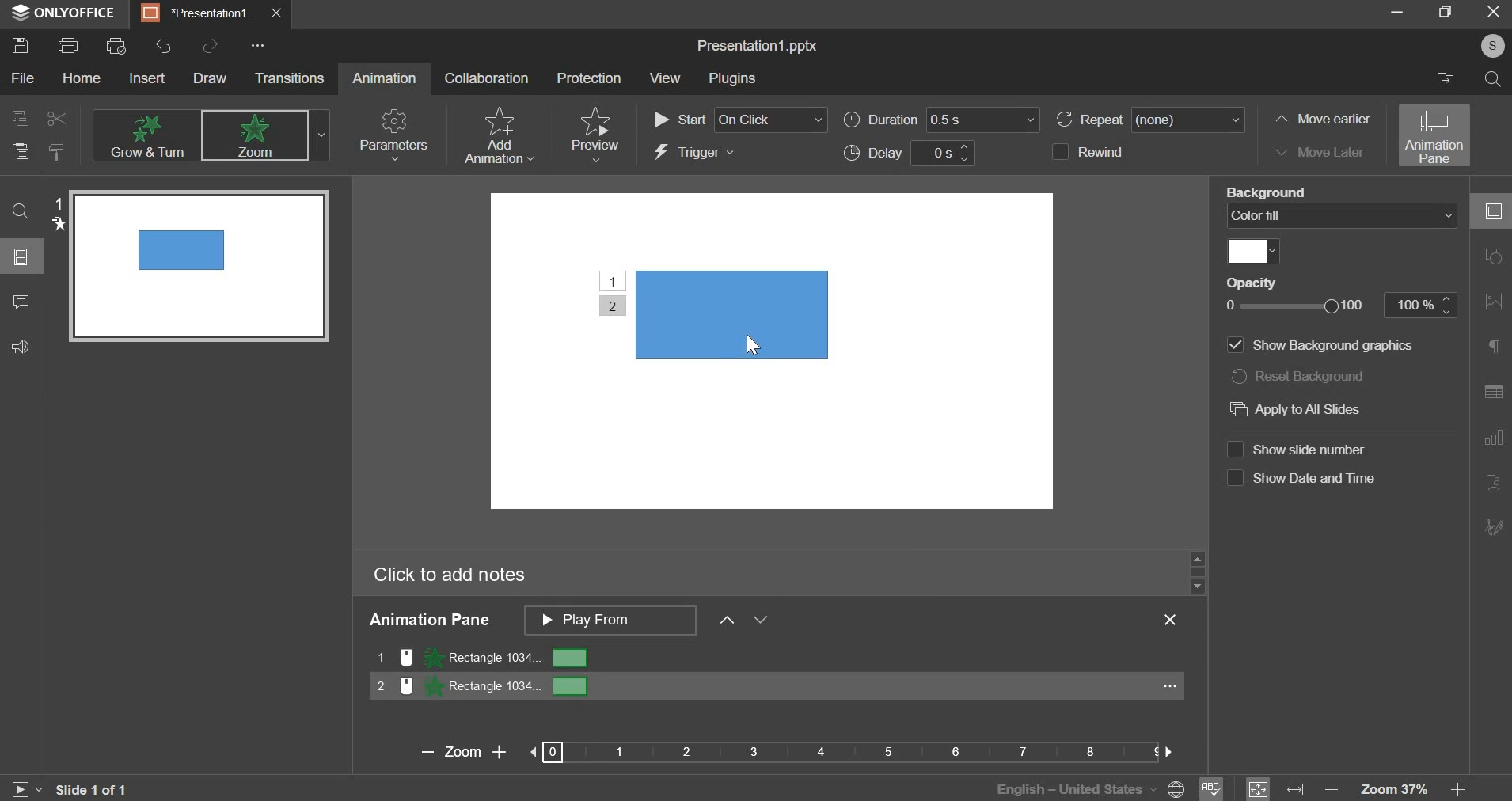  Describe the element at coordinates (1493, 257) in the screenshot. I see `slide layout` at that location.